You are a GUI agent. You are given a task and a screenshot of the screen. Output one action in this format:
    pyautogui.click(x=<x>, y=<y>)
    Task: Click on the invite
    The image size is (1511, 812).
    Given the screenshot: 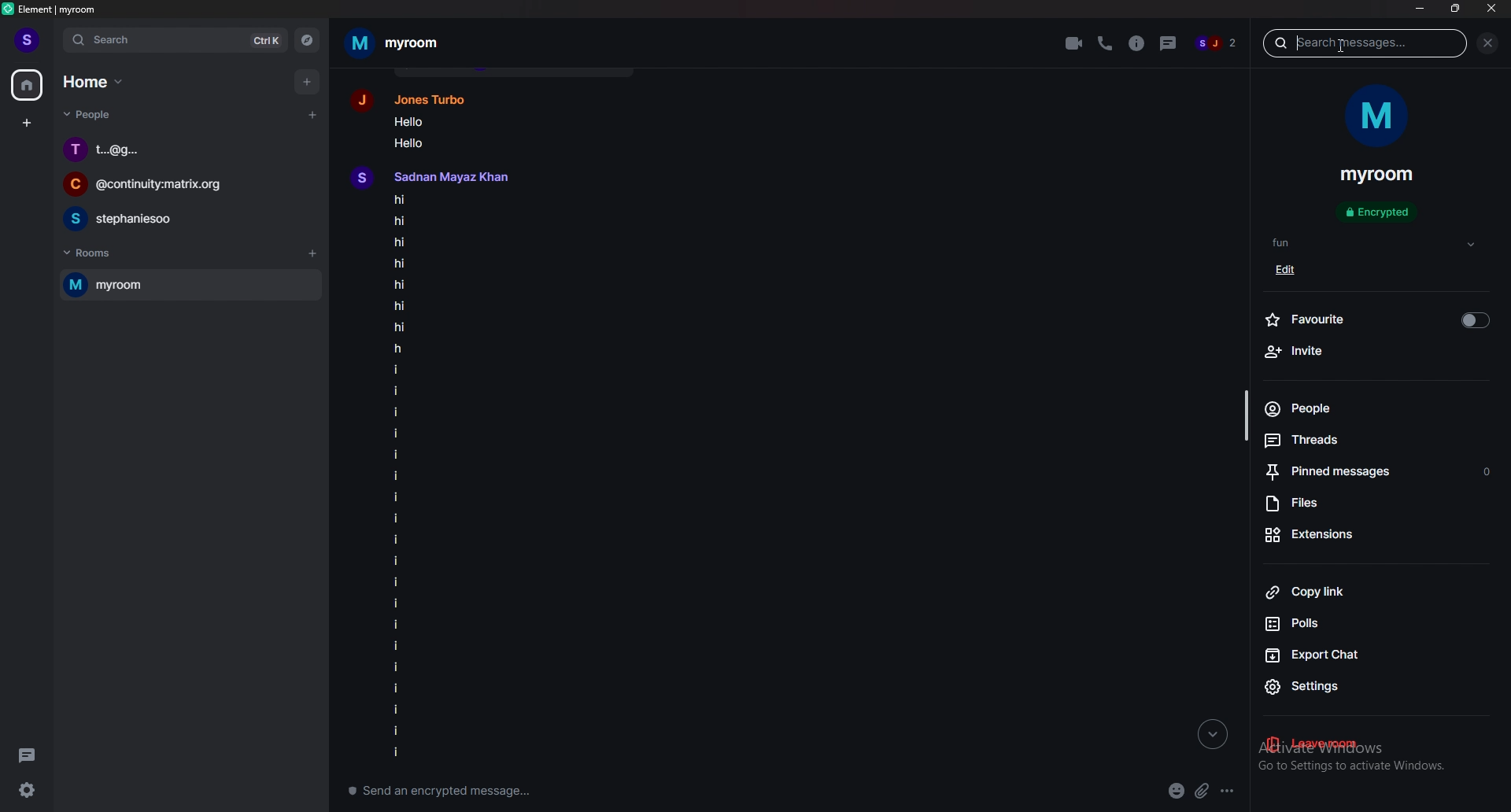 What is the action you would take?
    pyautogui.click(x=1362, y=352)
    